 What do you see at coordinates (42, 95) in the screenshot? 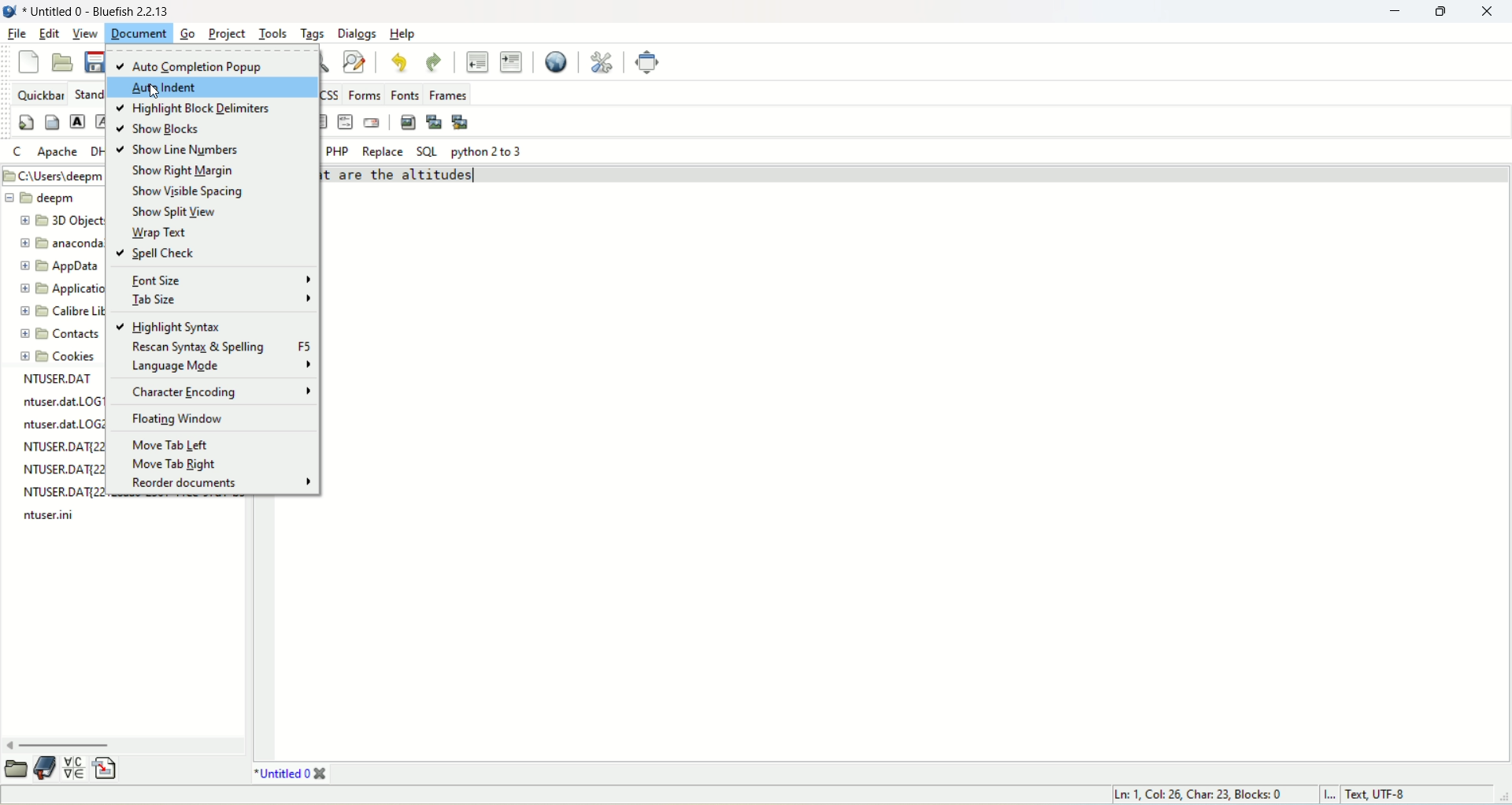
I see `quickbar` at bounding box center [42, 95].